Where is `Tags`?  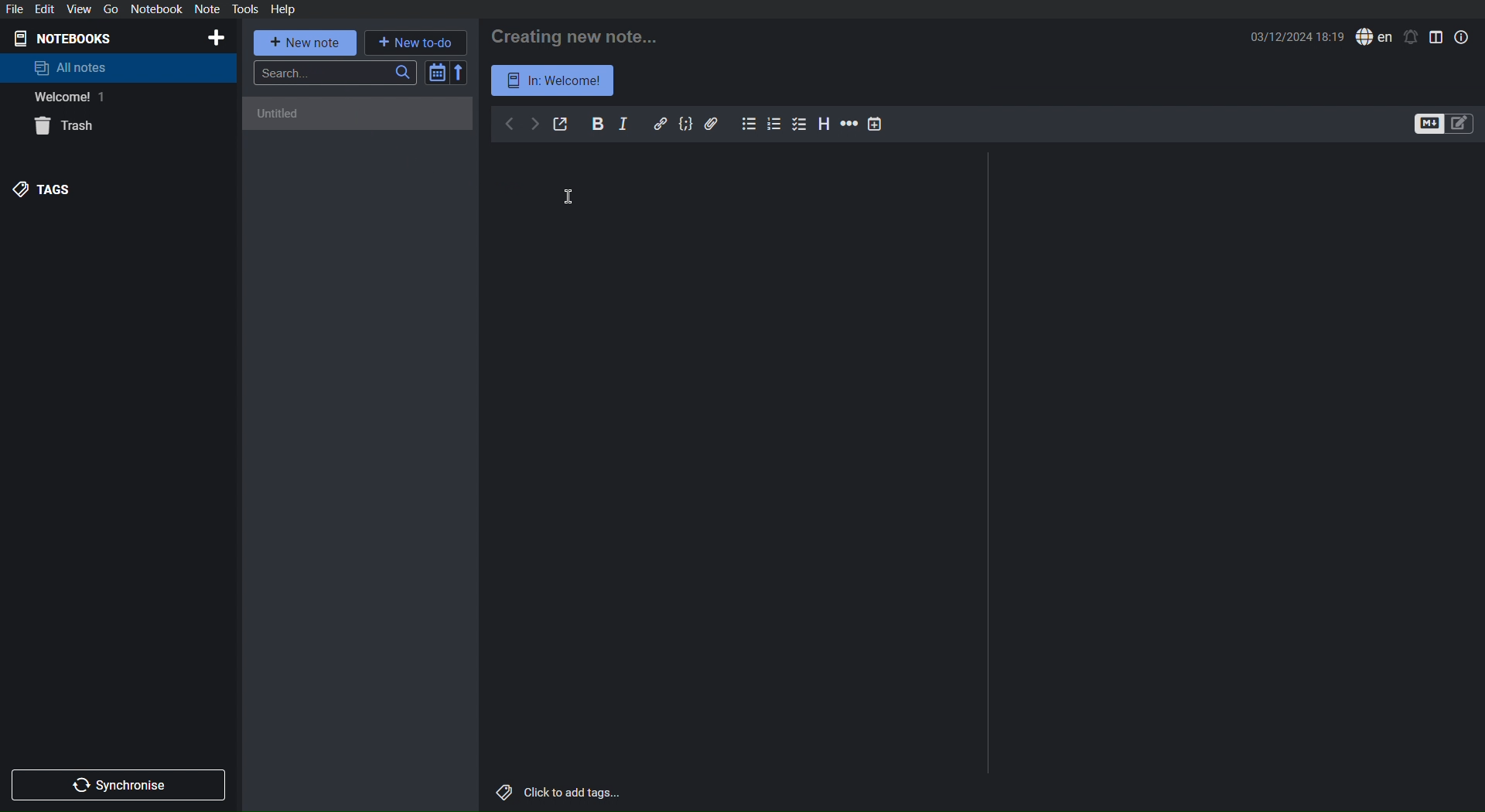
Tags is located at coordinates (46, 189).